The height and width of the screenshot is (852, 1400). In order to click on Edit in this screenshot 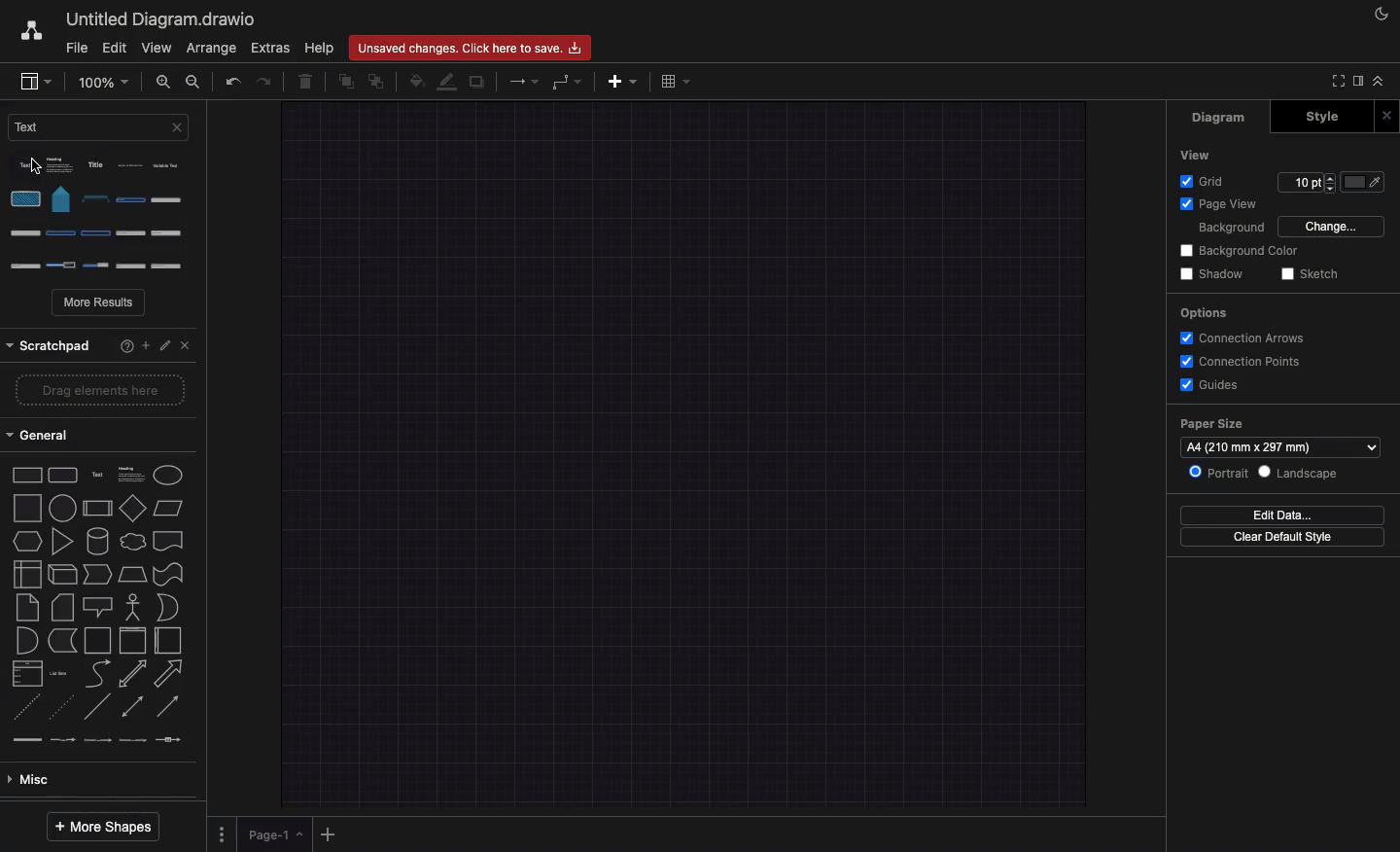, I will do `click(116, 47)`.